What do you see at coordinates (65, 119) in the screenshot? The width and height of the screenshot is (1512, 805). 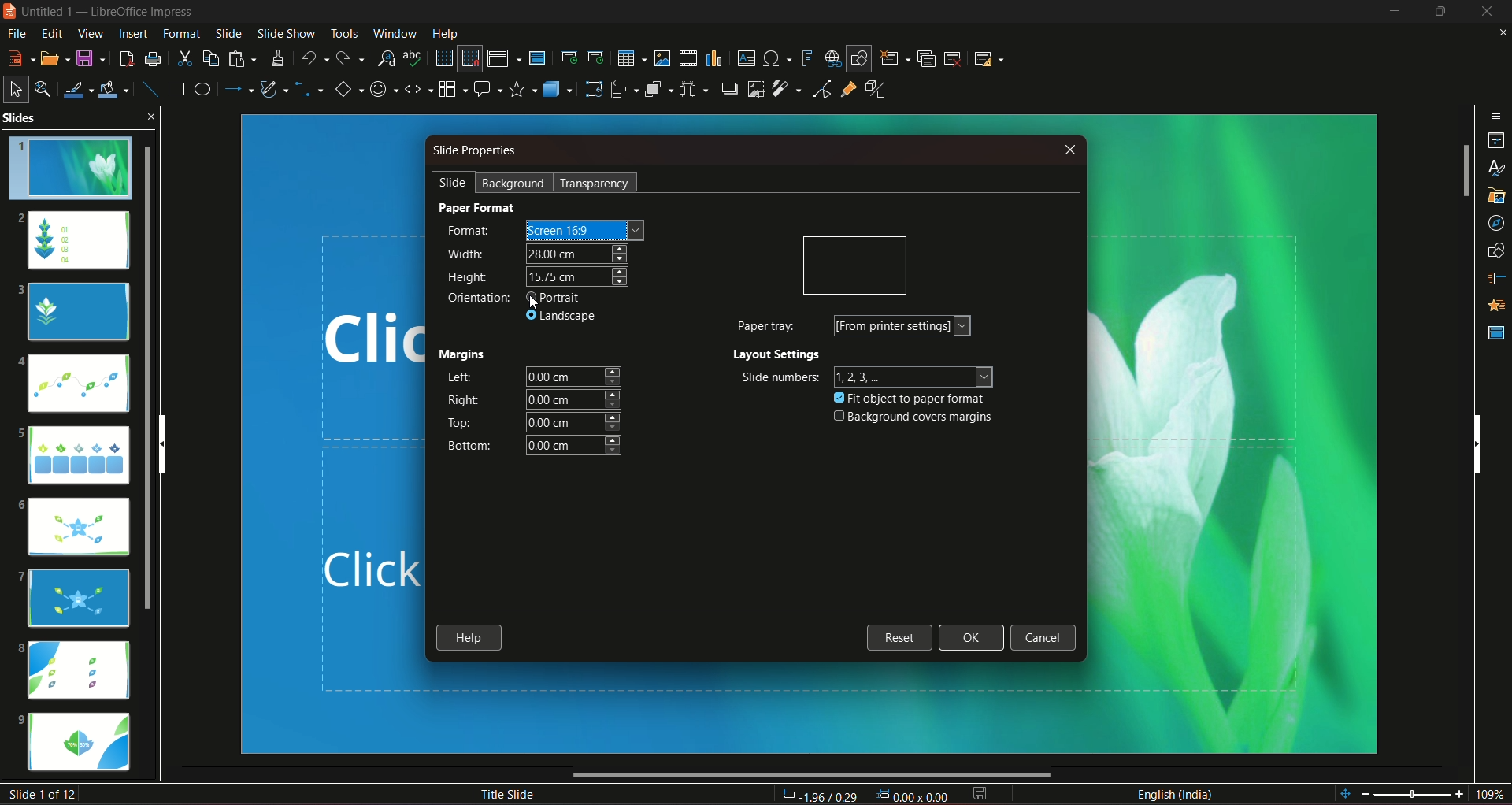 I see `slides` at bounding box center [65, 119].